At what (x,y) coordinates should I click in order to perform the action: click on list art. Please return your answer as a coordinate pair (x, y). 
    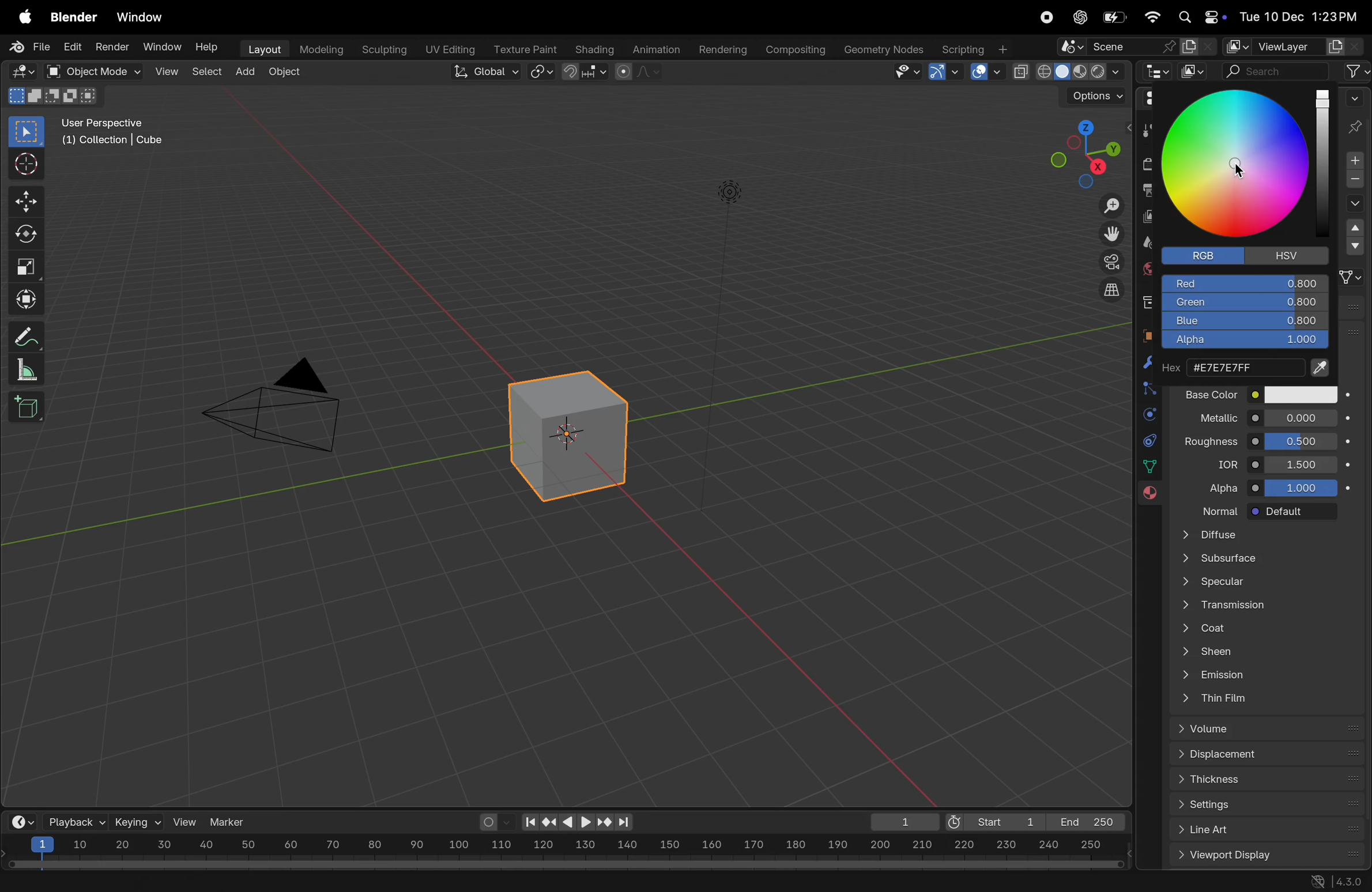
    Looking at the image, I should click on (1262, 831).